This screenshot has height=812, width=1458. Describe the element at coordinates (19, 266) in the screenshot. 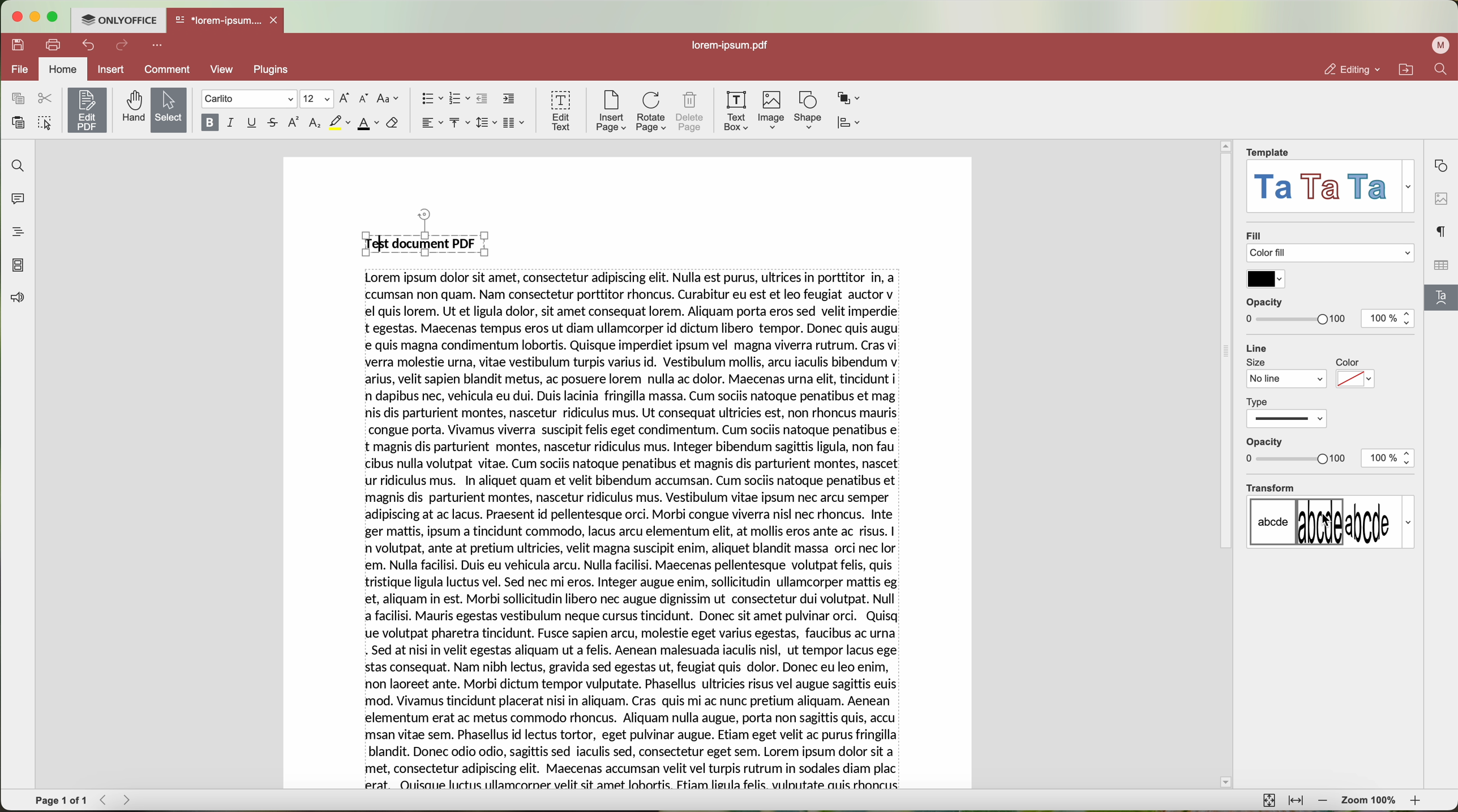

I see `page thumbnails` at that location.